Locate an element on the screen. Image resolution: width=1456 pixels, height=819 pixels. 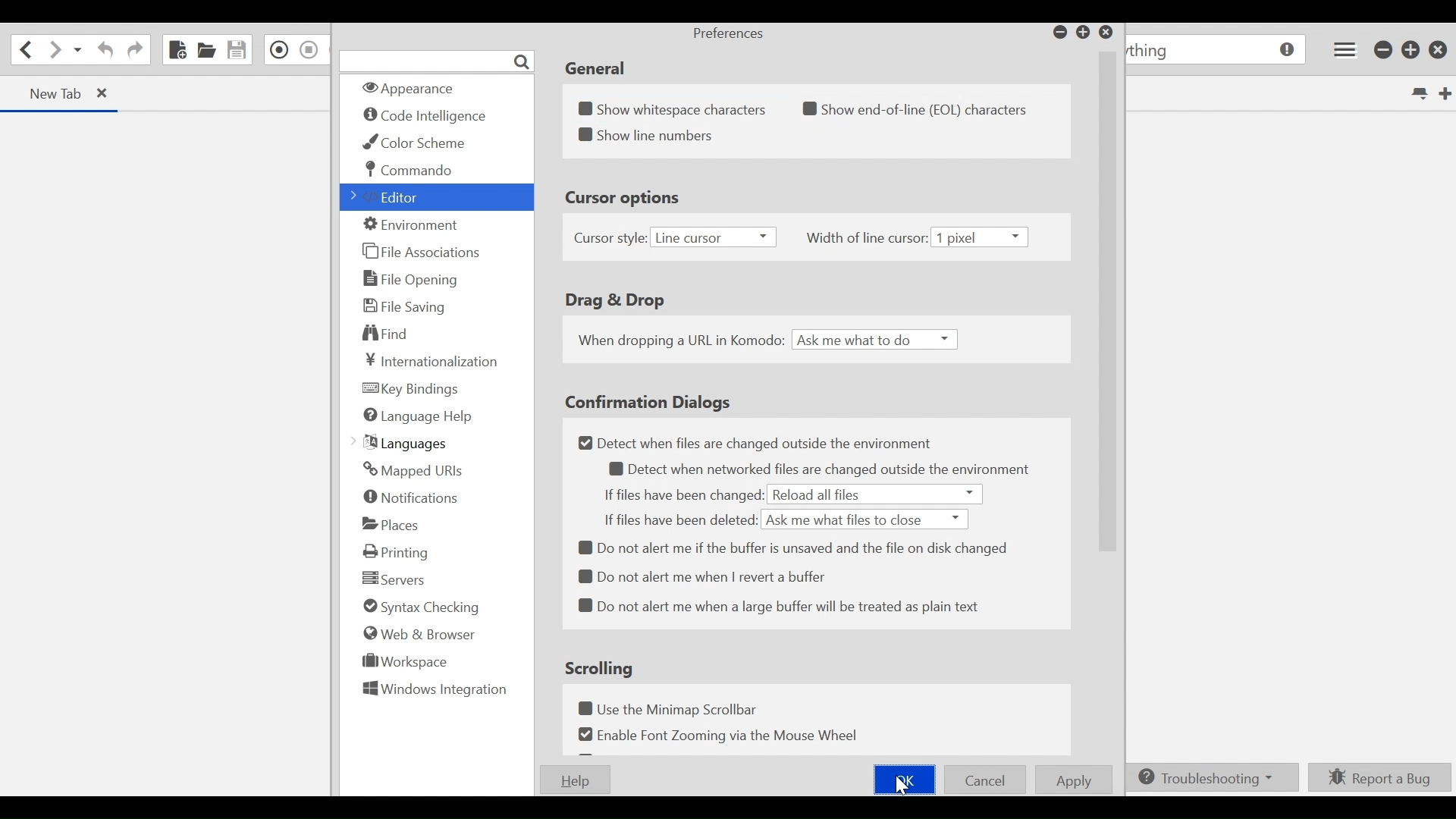
Undo last action is located at coordinates (106, 50).